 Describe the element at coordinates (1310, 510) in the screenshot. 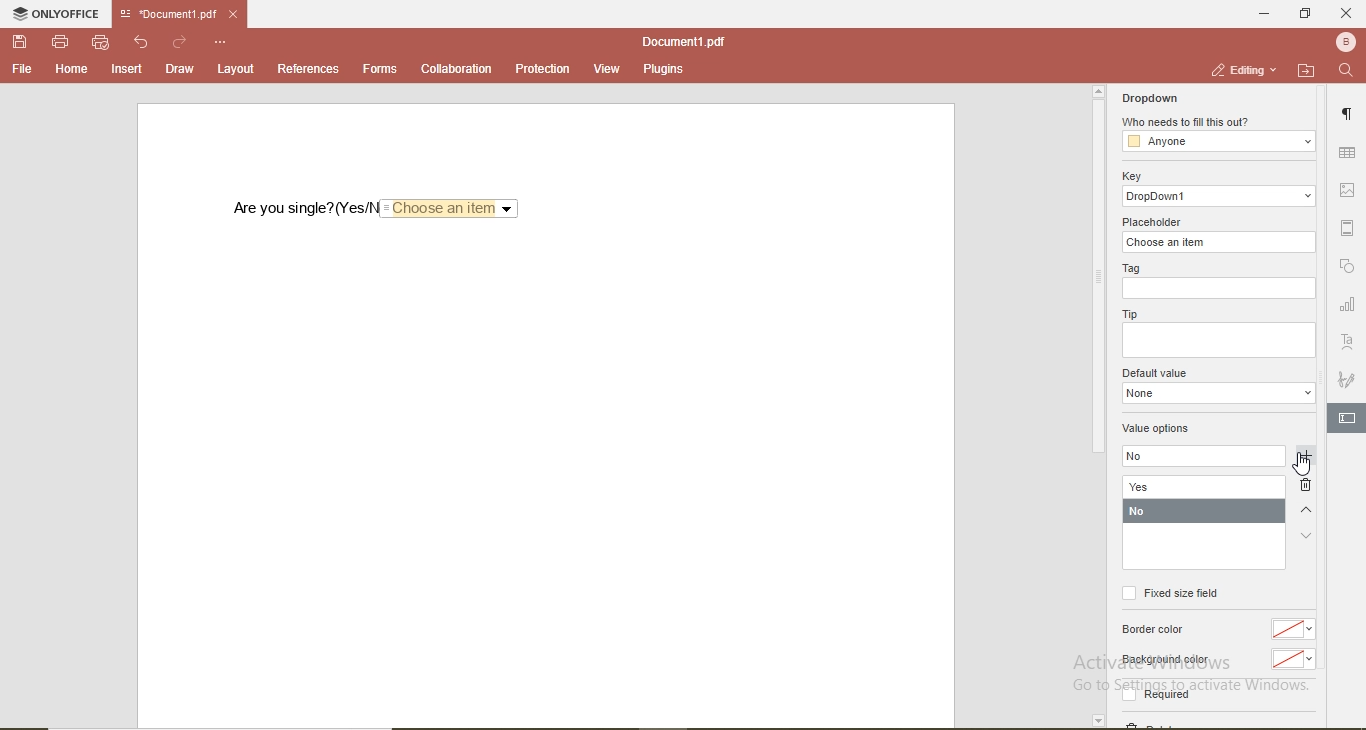

I see `up` at that location.